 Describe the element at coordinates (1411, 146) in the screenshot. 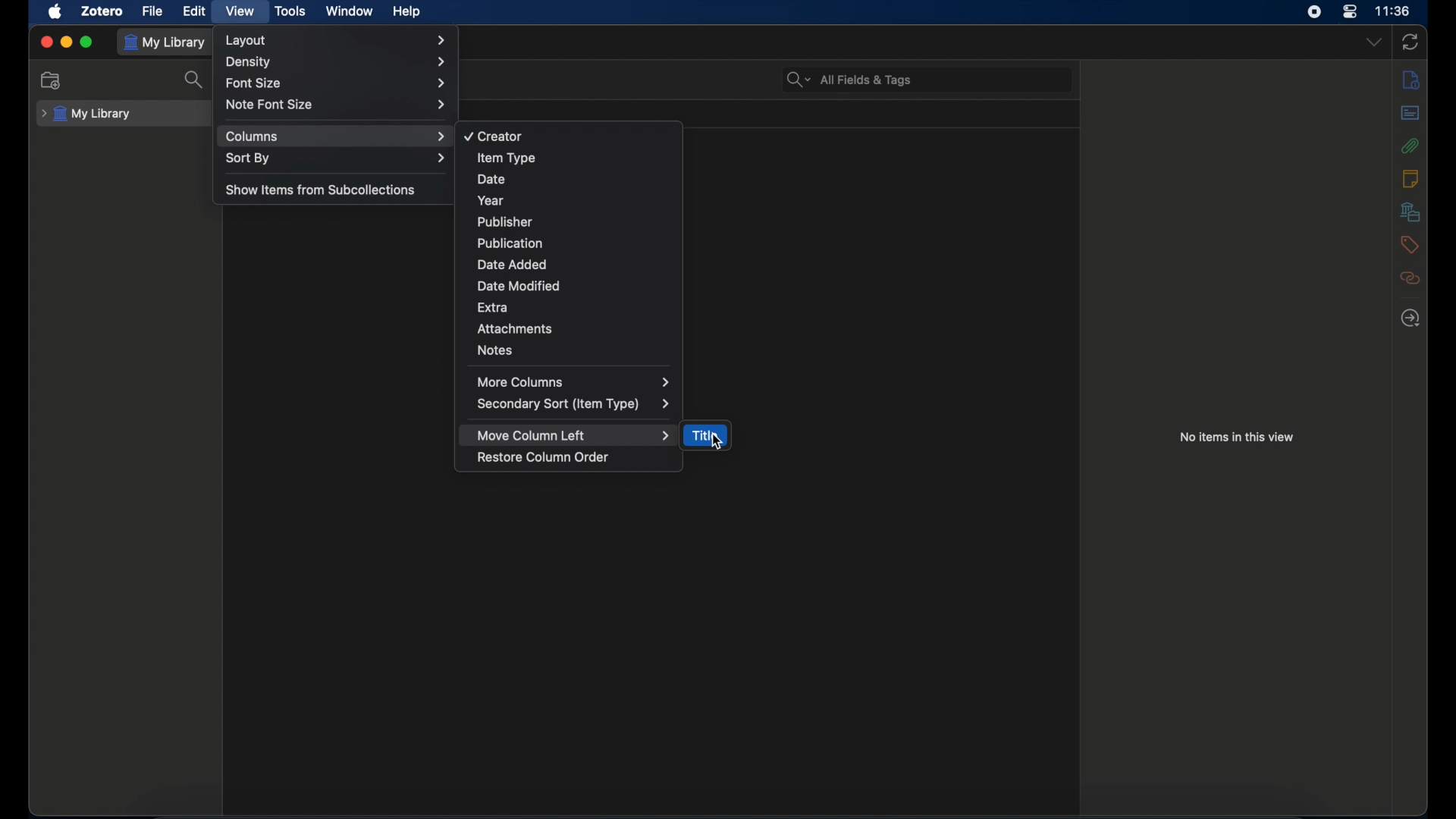

I see `attachments` at that location.